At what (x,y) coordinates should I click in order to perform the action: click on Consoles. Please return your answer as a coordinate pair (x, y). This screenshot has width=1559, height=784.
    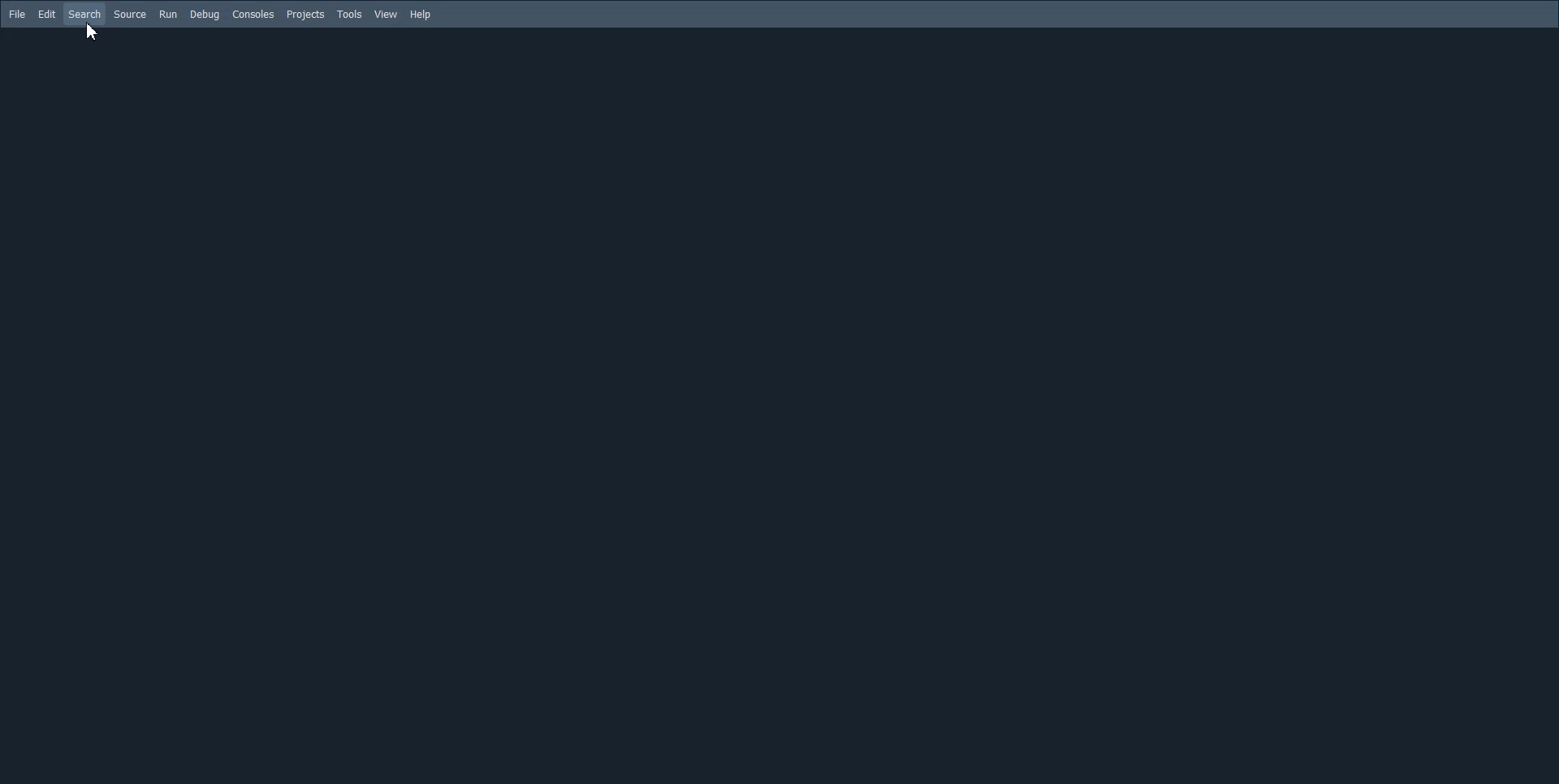
    Looking at the image, I should click on (253, 14).